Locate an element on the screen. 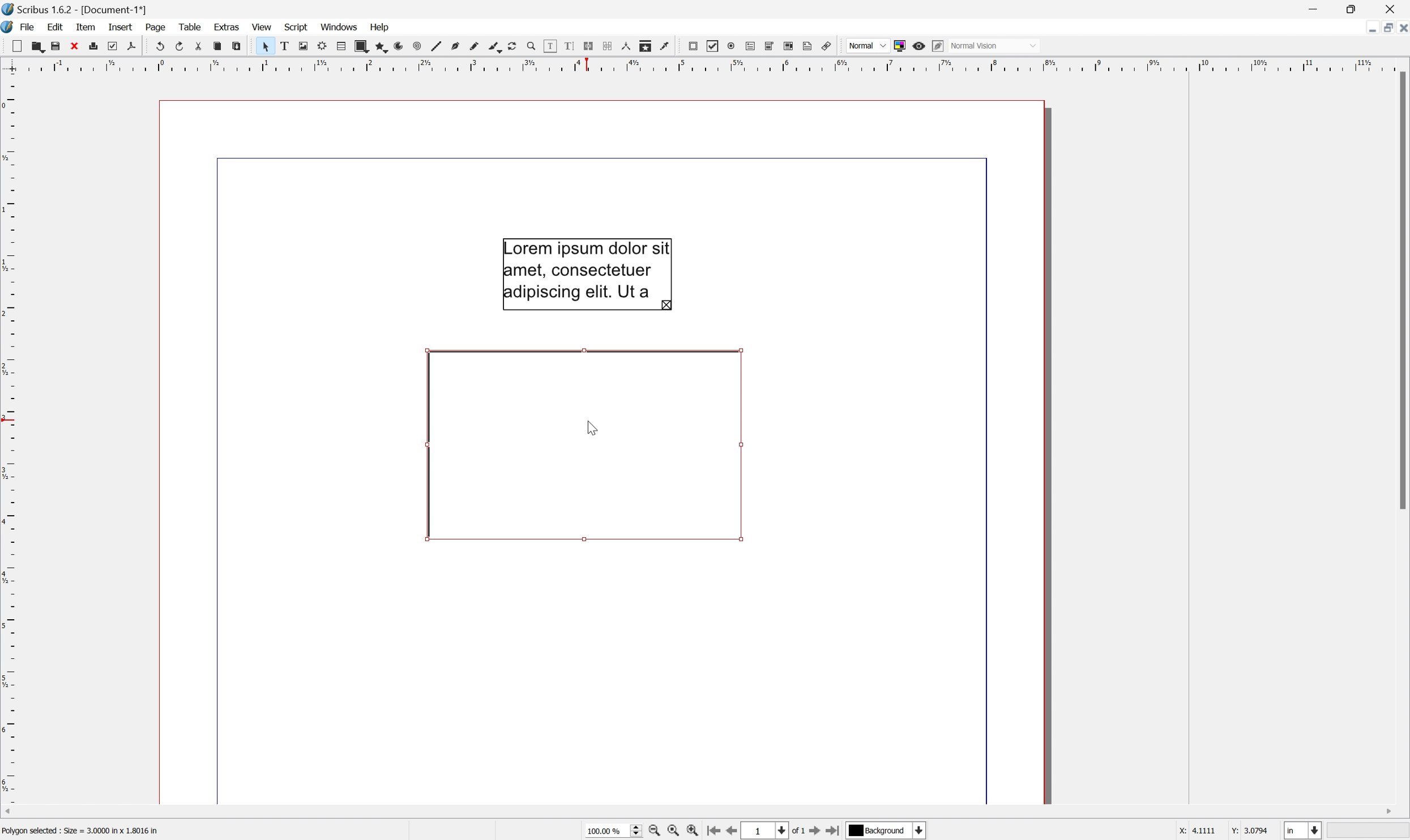 The width and height of the screenshot is (1410, 840). Link text frames is located at coordinates (587, 44).